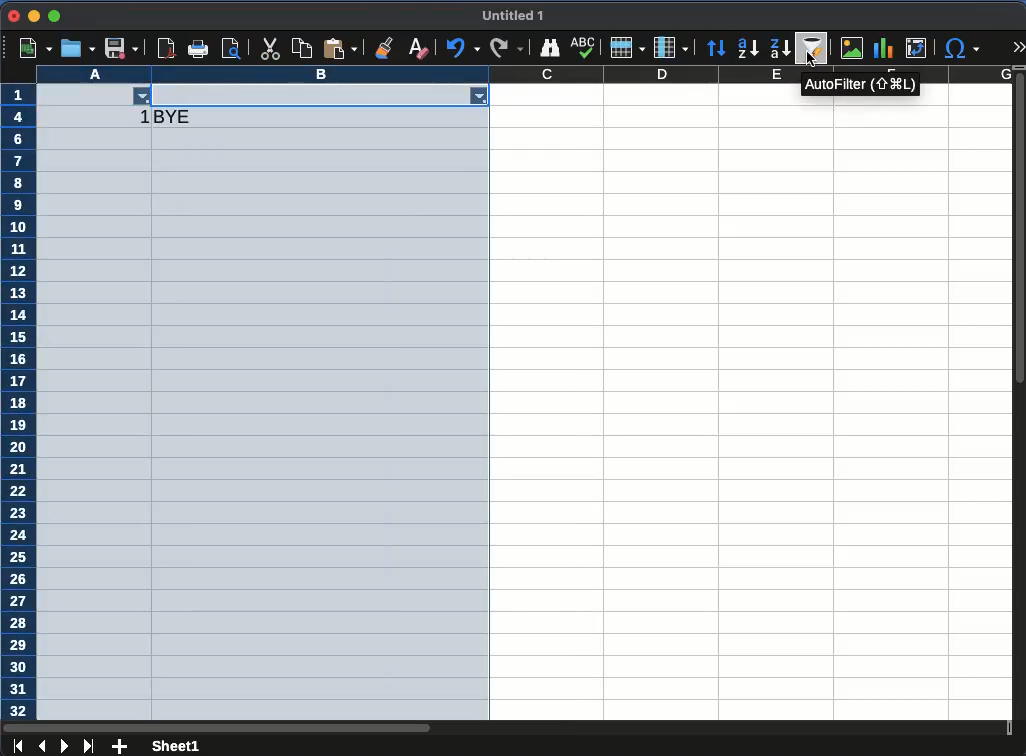 Image resolution: width=1026 pixels, height=756 pixels. What do you see at coordinates (142, 119) in the screenshot?
I see `1` at bounding box center [142, 119].